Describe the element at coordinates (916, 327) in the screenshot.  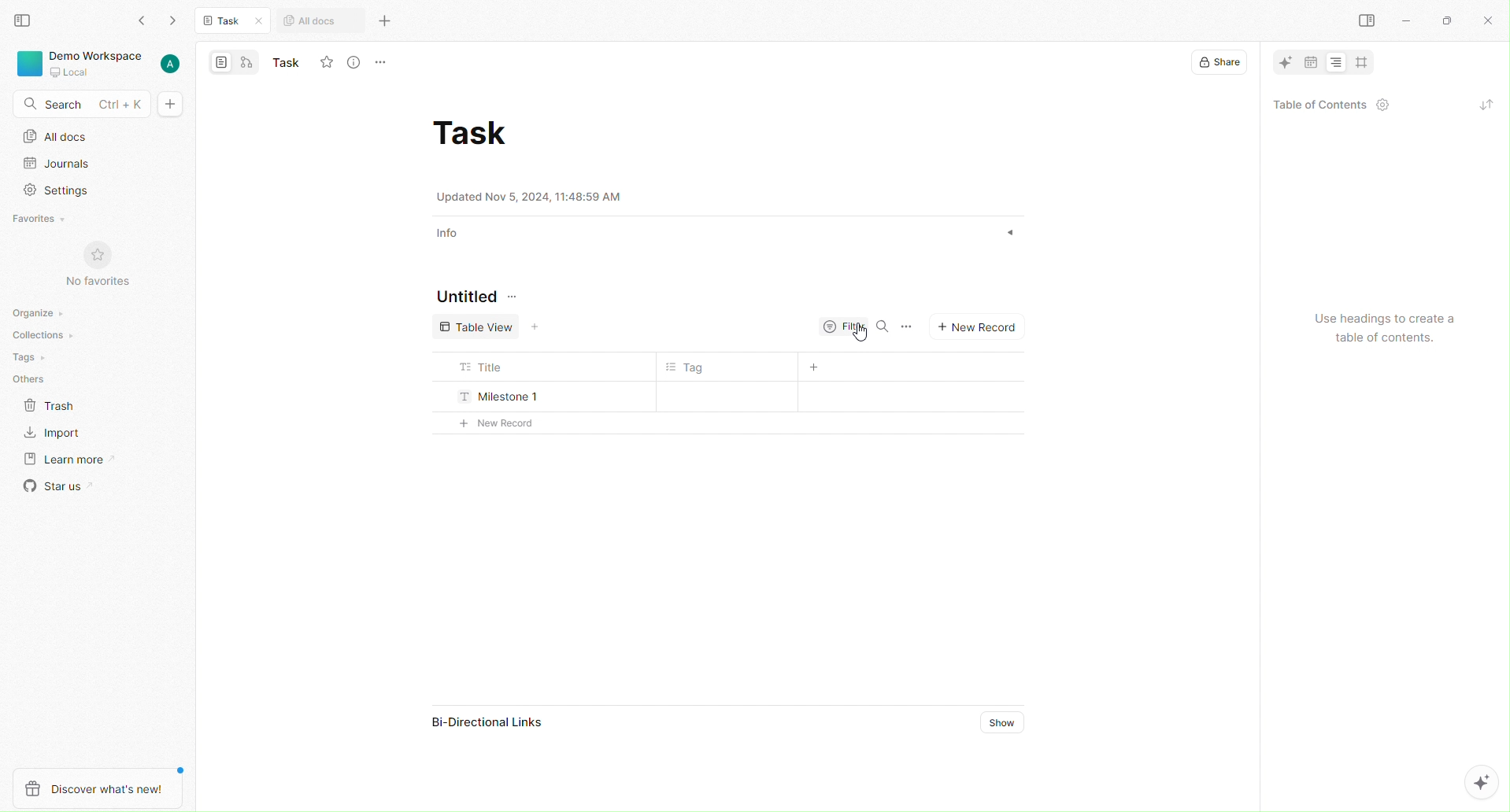
I see `Options` at that location.